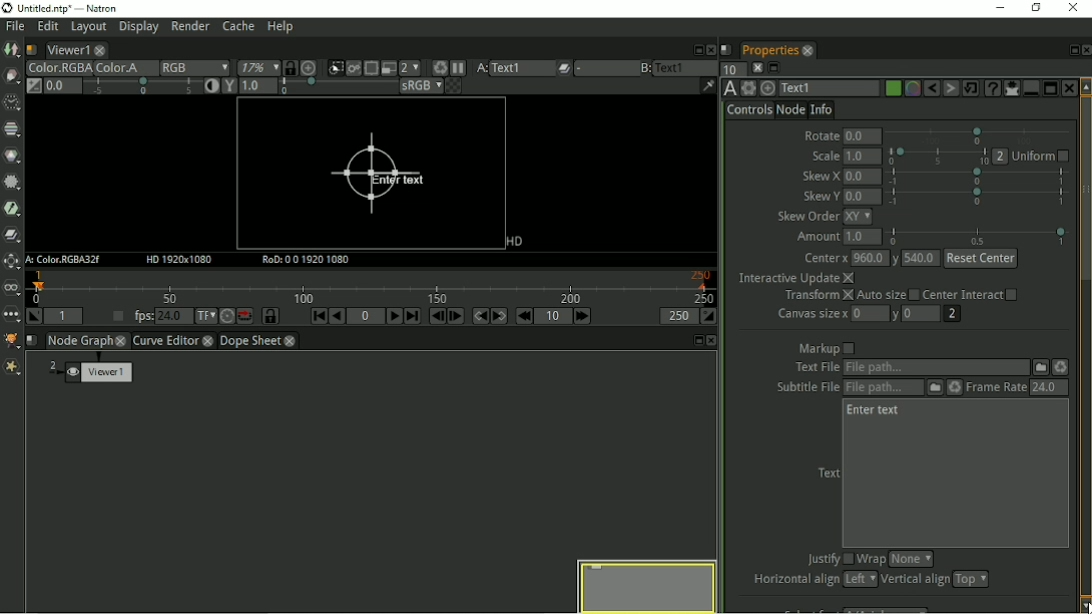 The width and height of the screenshot is (1092, 614). What do you see at coordinates (312, 68) in the screenshot?
I see `Scale image` at bounding box center [312, 68].